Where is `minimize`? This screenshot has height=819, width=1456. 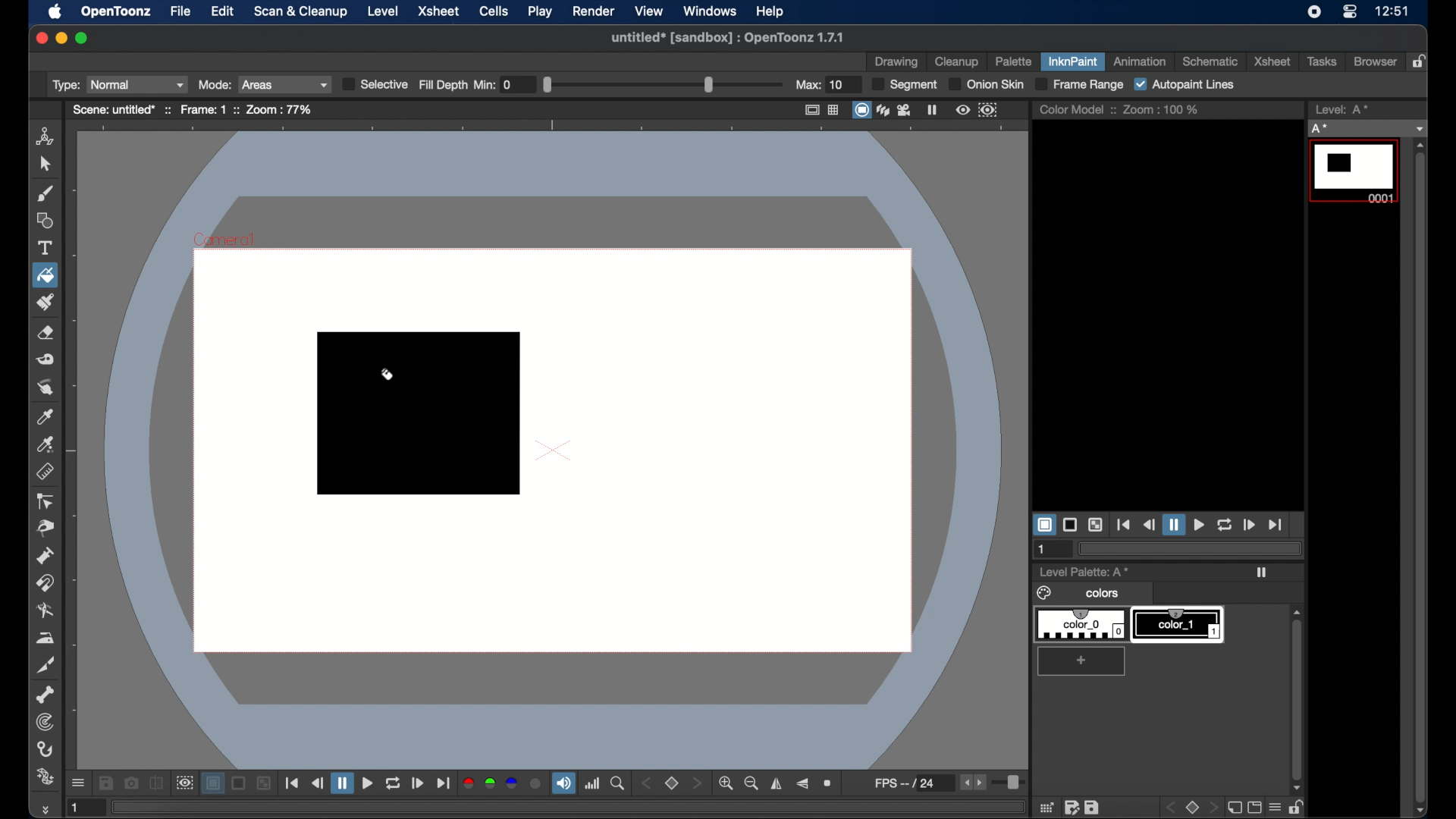
minimize is located at coordinates (61, 38).